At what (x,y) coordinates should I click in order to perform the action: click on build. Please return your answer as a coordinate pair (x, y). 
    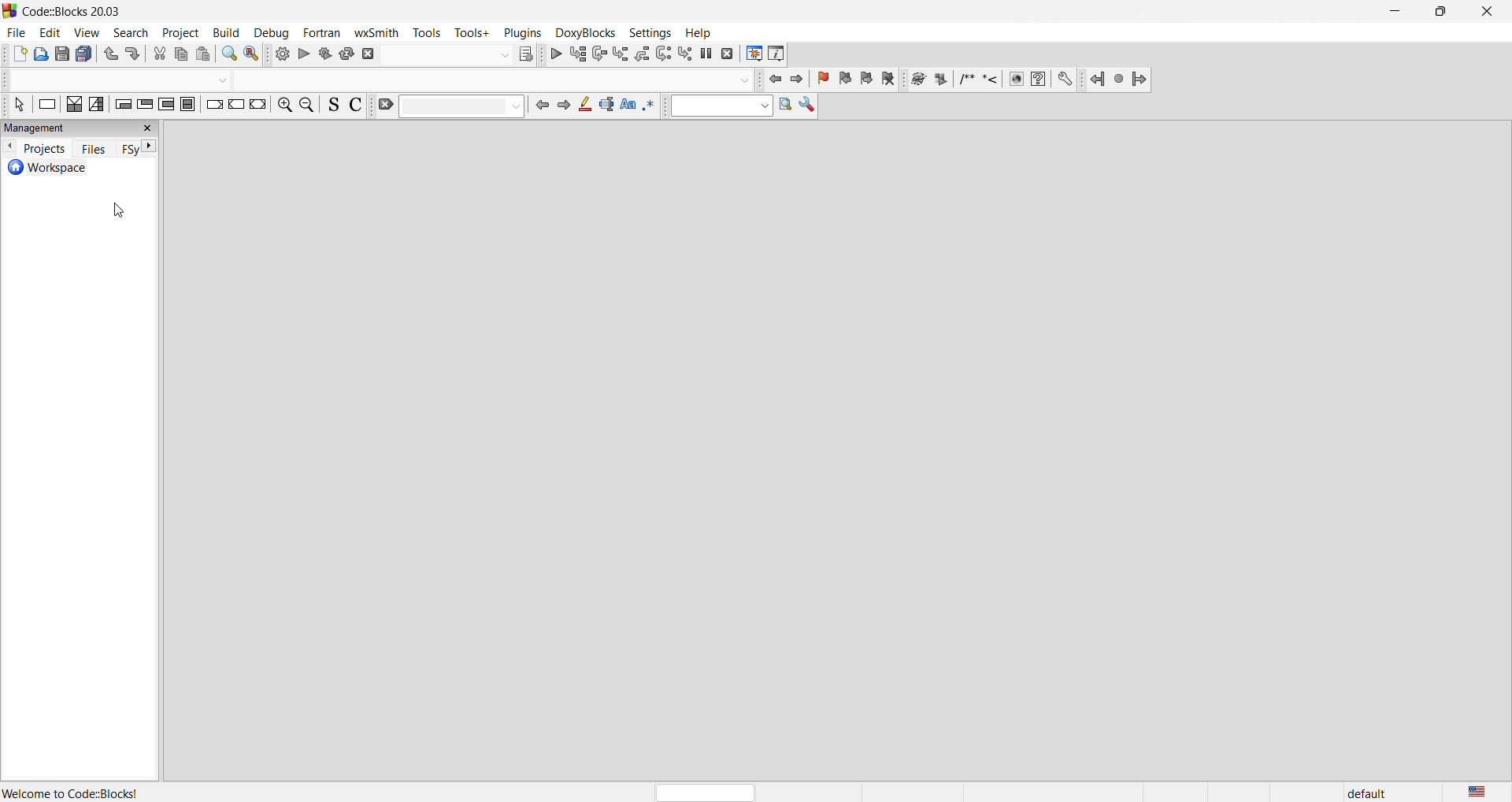
    Looking at the image, I should click on (282, 55).